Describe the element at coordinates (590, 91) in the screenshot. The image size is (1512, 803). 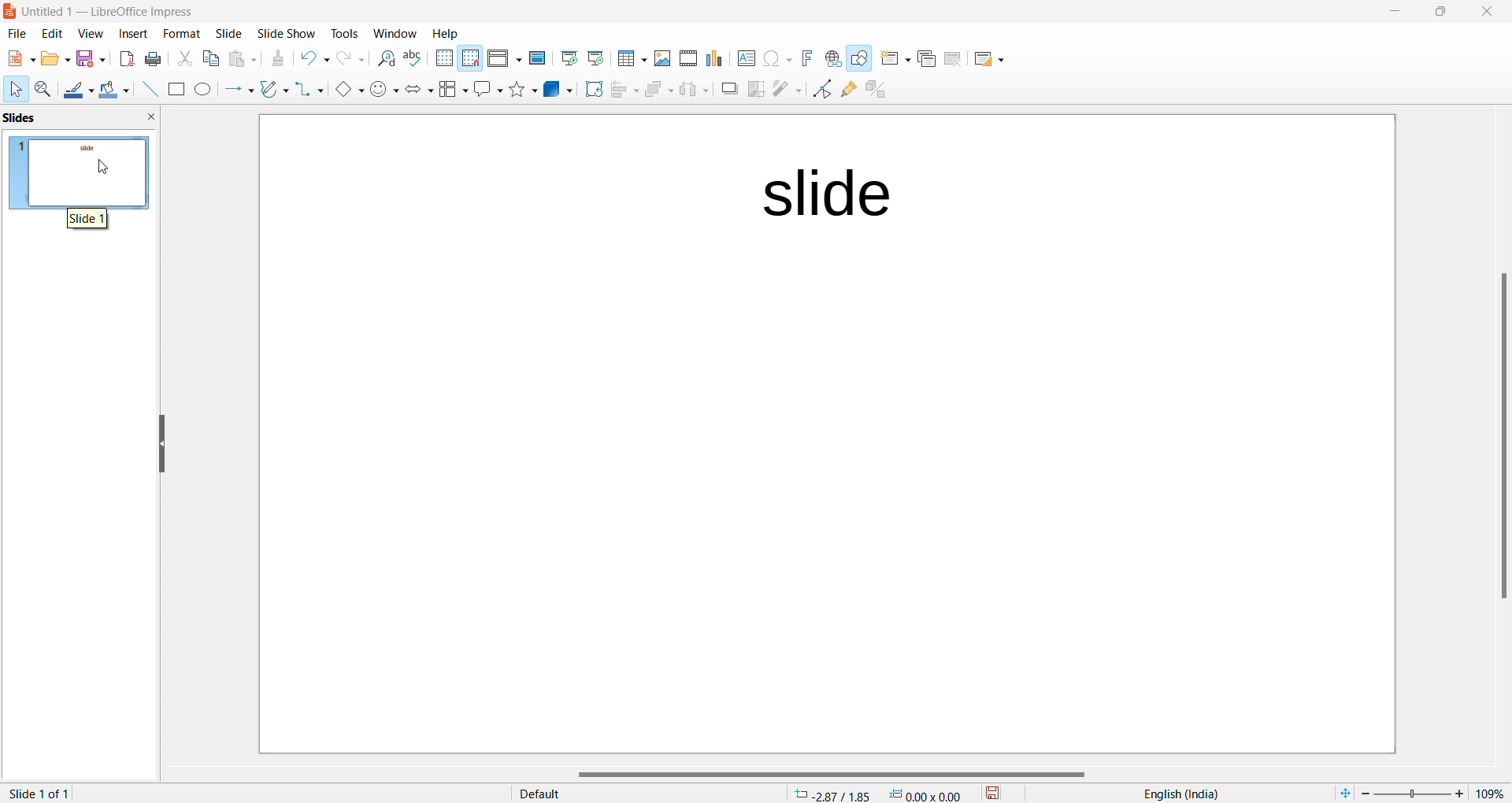
I see `Rotate` at that location.